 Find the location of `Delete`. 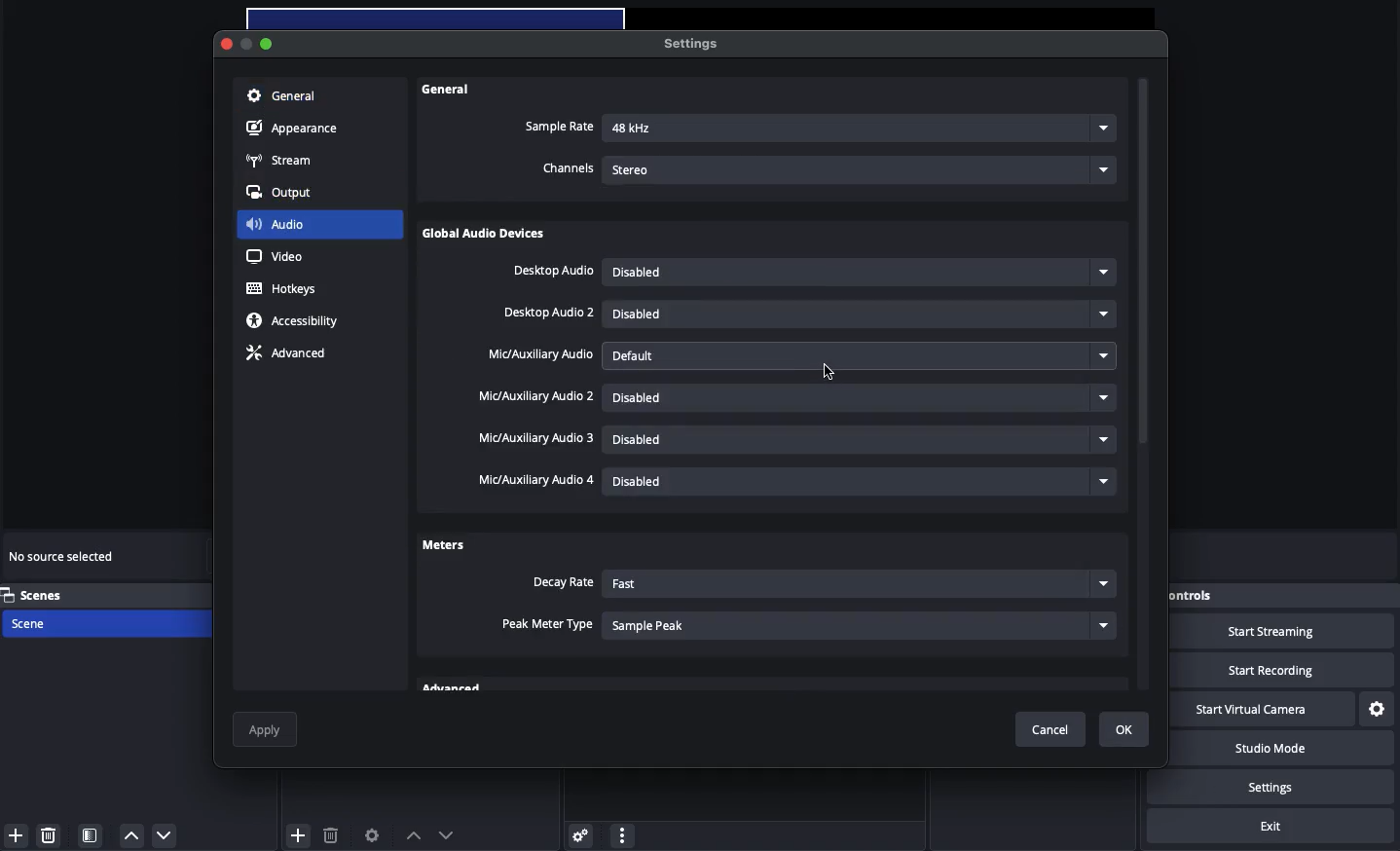

Delete is located at coordinates (330, 834).